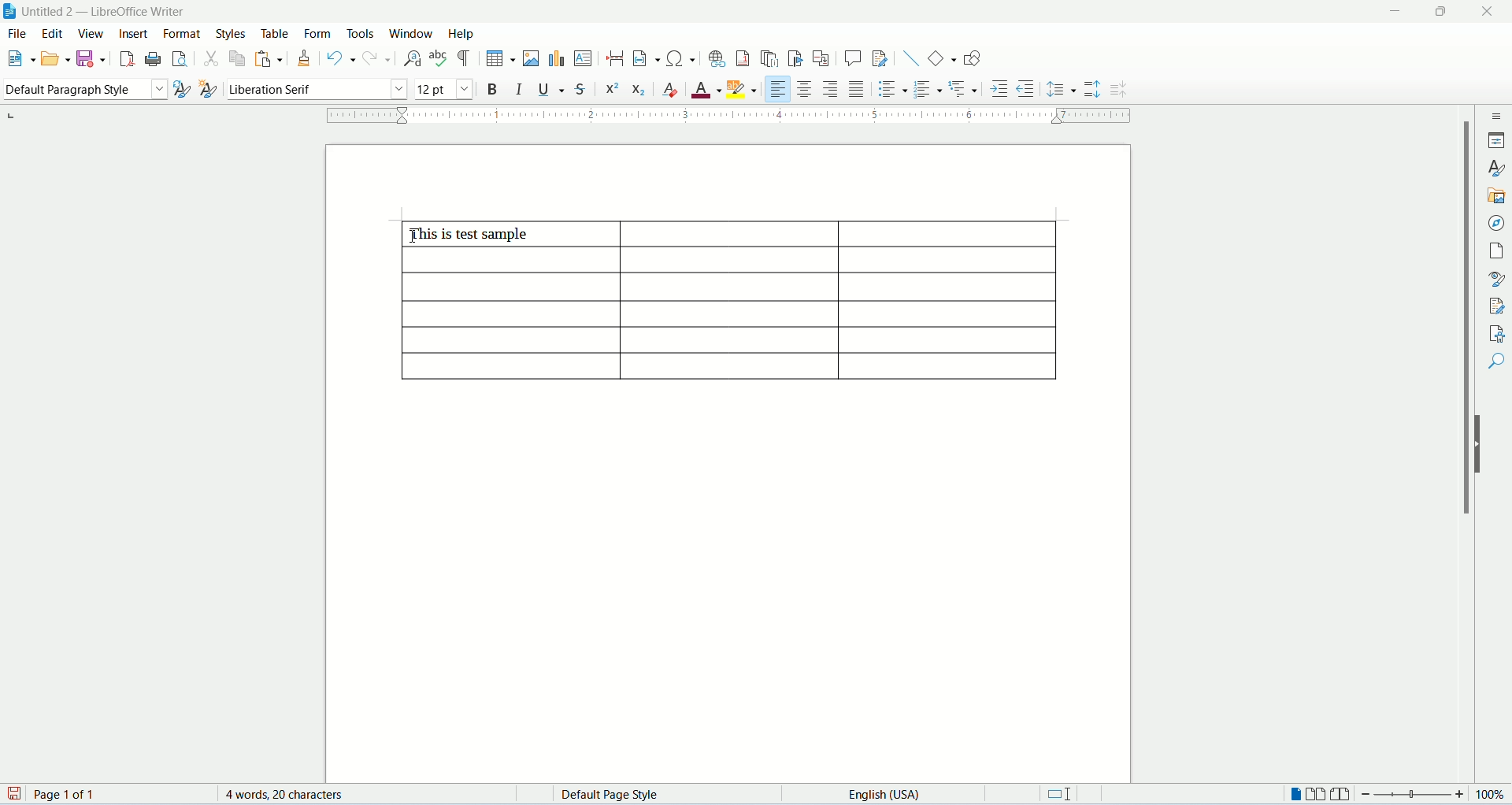  I want to click on hide, so click(1480, 445).